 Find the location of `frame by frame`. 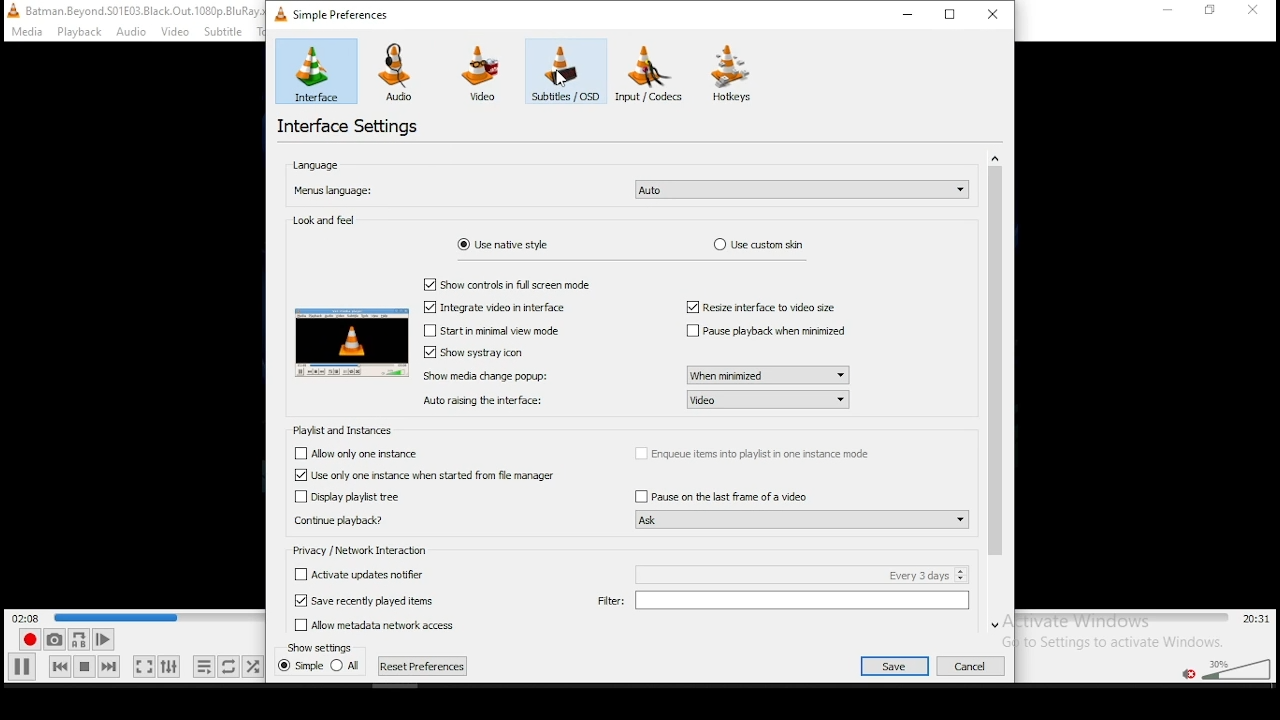

frame by frame is located at coordinates (100, 640).